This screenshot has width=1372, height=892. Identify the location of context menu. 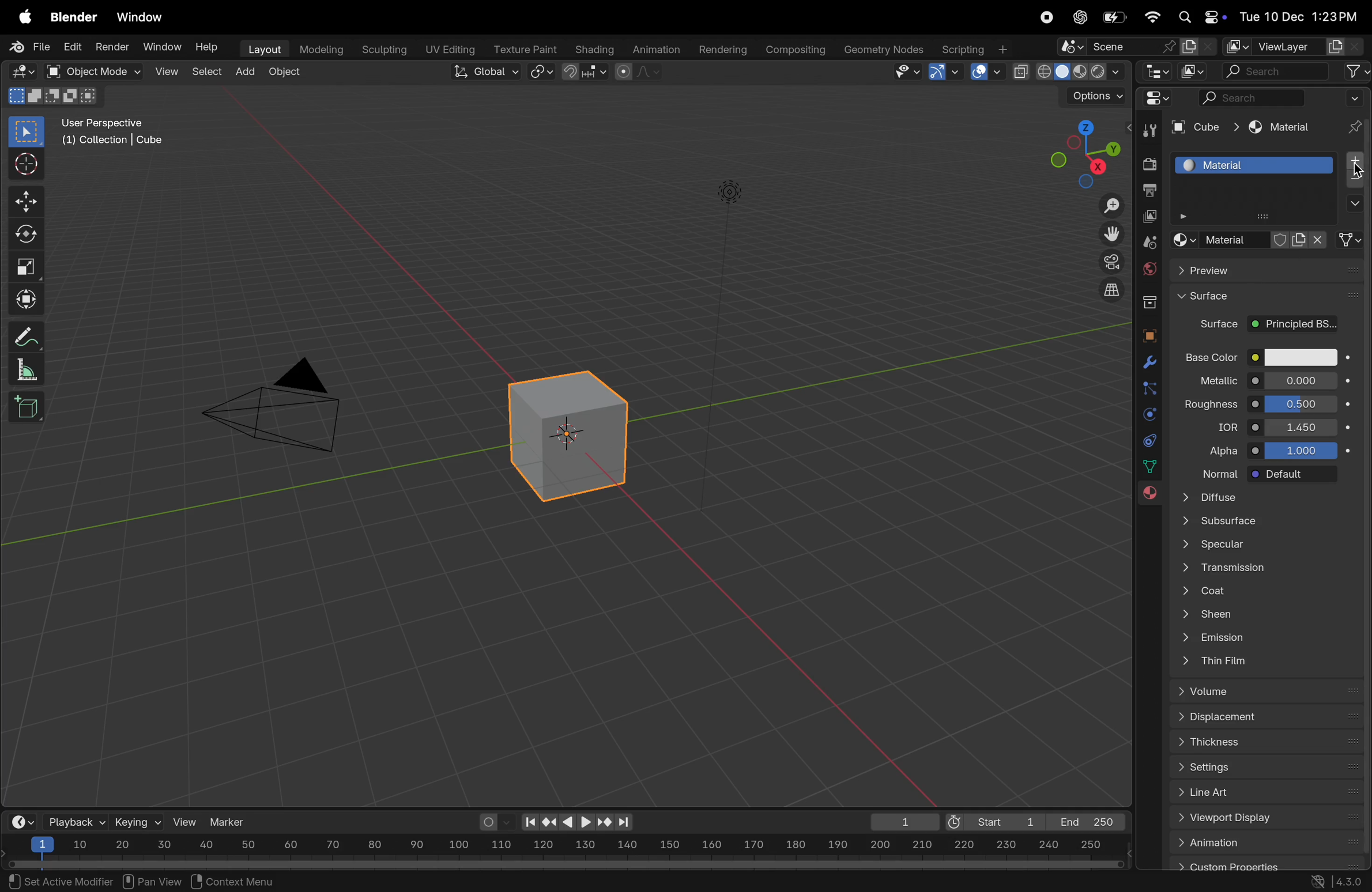
(239, 880).